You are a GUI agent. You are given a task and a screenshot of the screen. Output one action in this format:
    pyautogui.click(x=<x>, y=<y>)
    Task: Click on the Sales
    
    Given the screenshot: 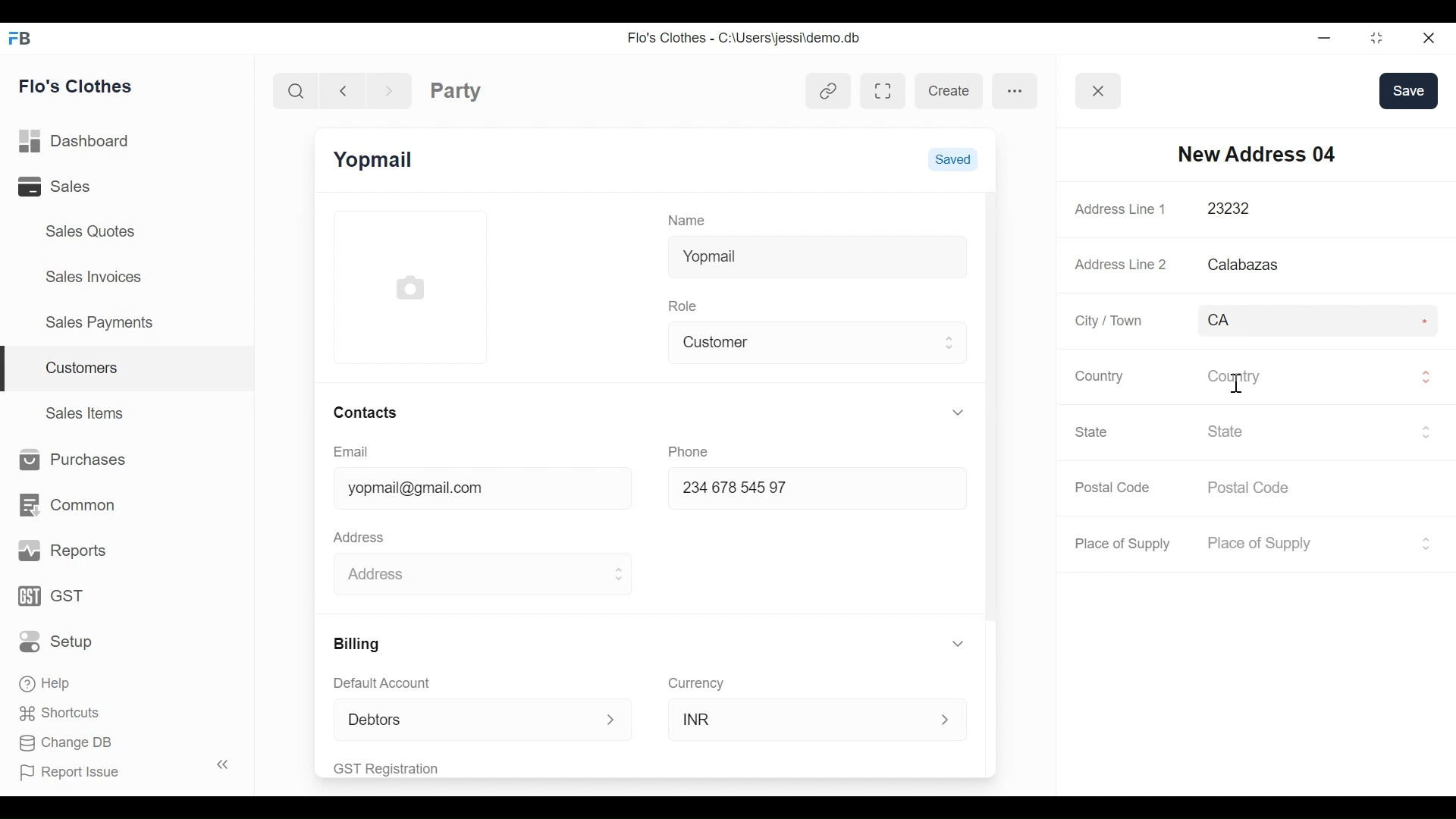 What is the action you would take?
    pyautogui.click(x=75, y=186)
    